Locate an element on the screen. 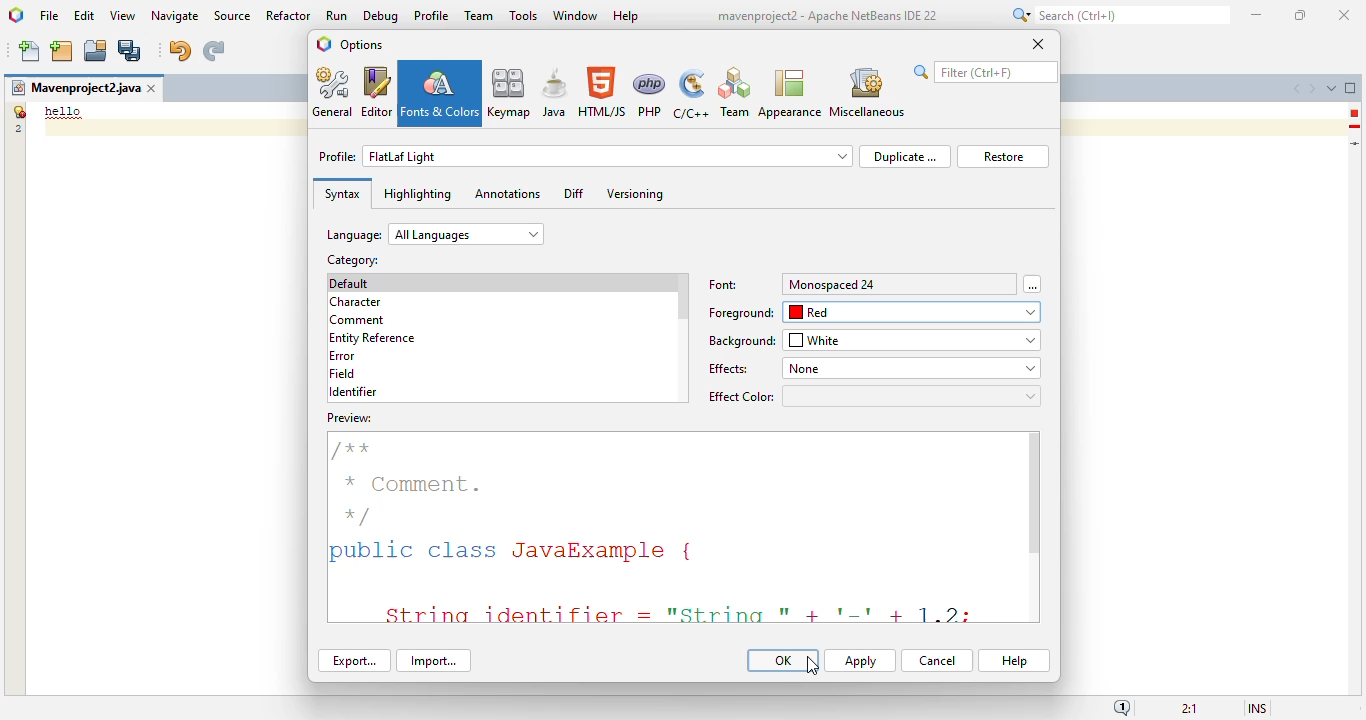 The image size is (1366, 720). font is located at coordinates (724, 285).